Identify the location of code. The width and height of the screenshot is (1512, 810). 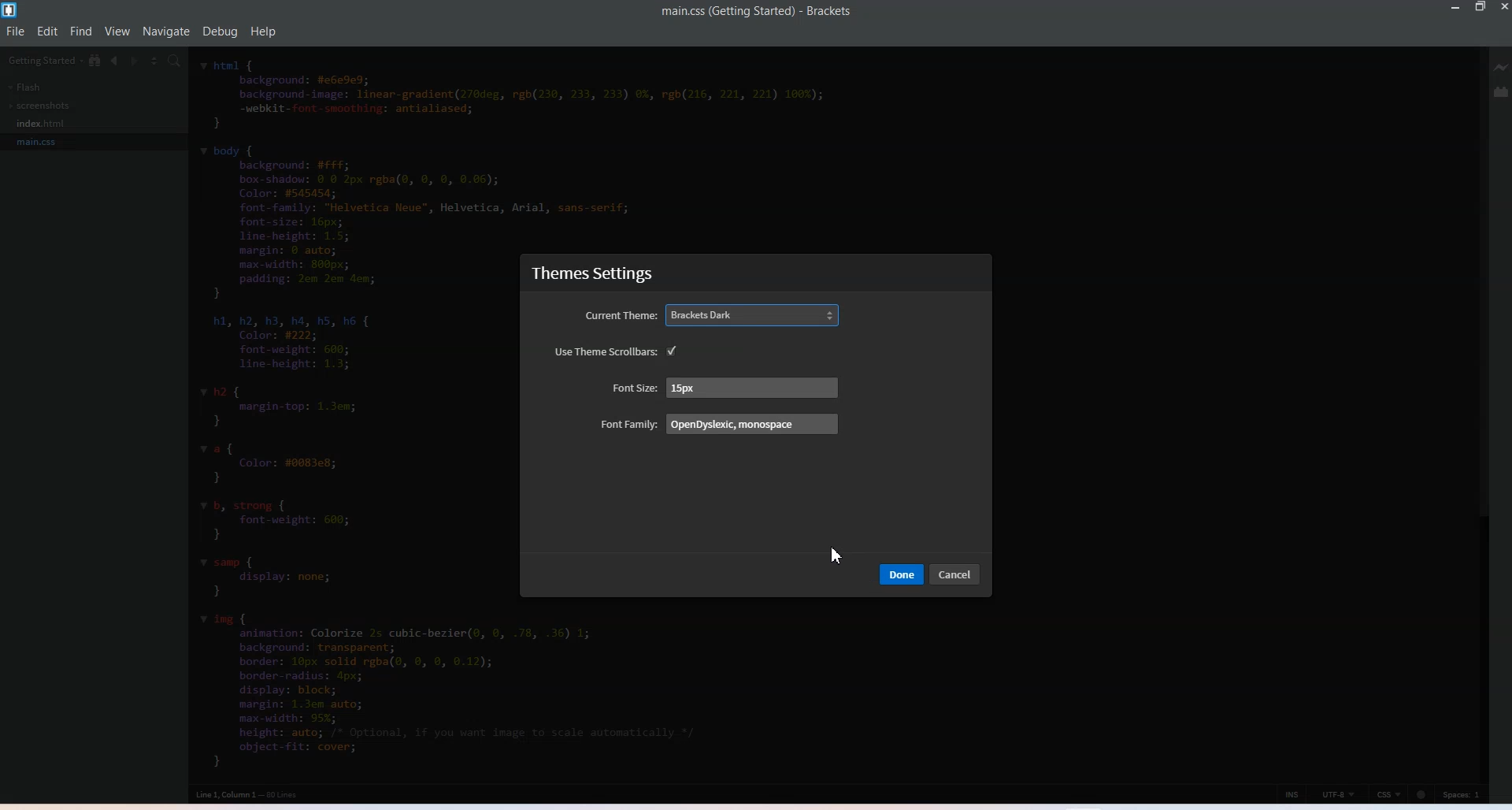
(326, 431).